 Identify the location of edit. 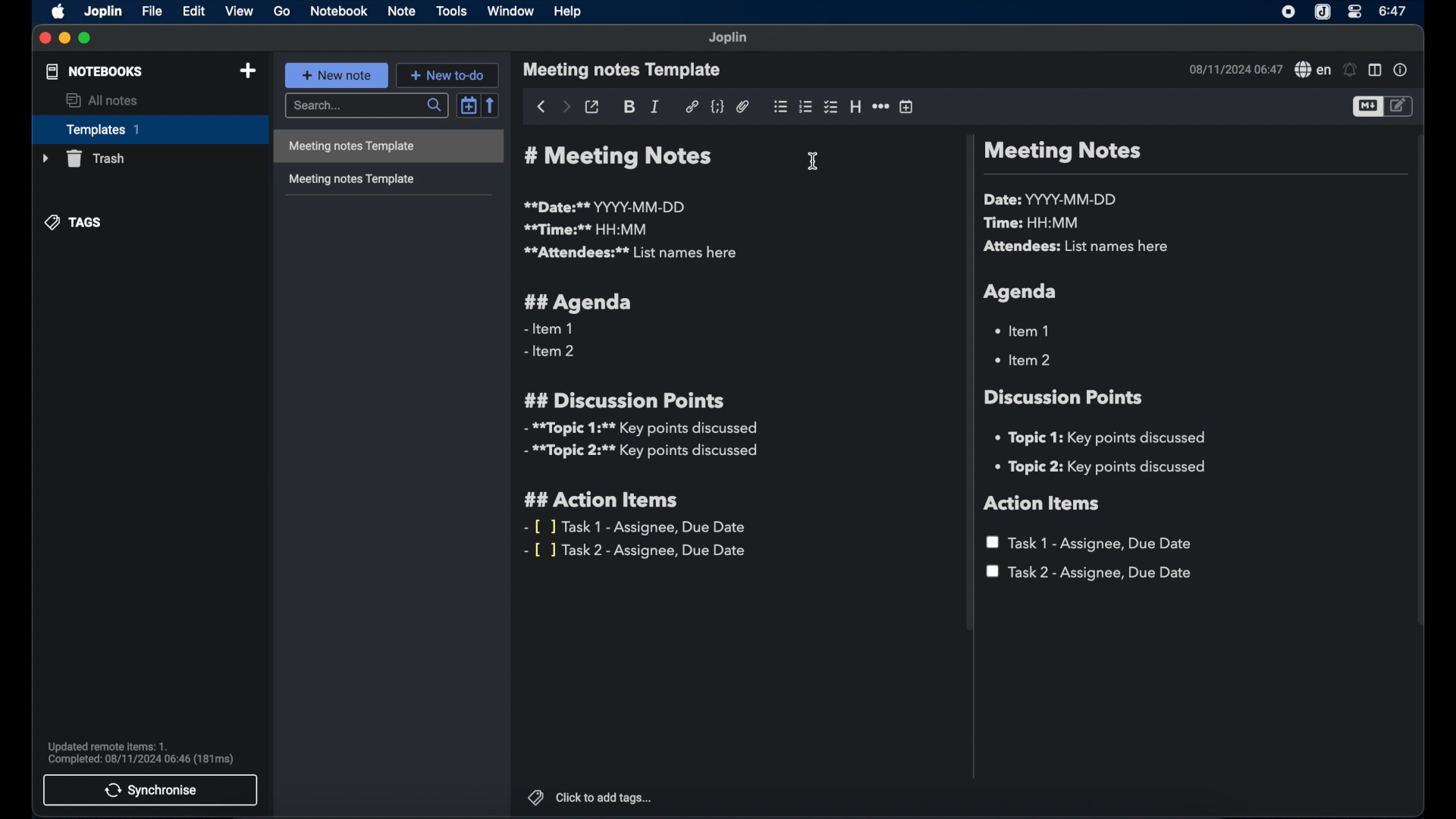
(193, 11).